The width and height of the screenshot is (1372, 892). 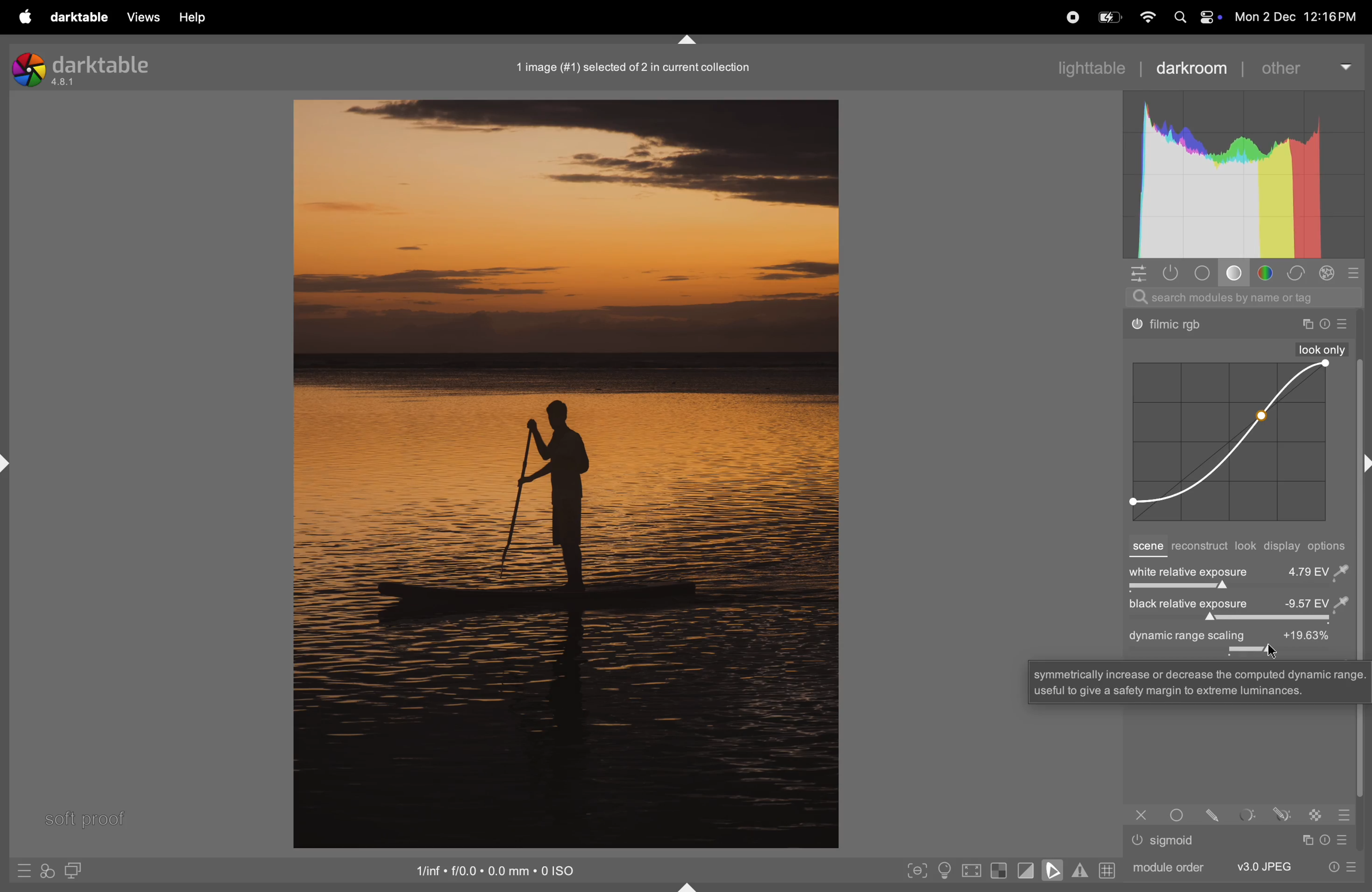 What do you see at coordinates (1337, 866) in the screenshot?
I see `quick acess to presets` at bounding box center [1337, 866].